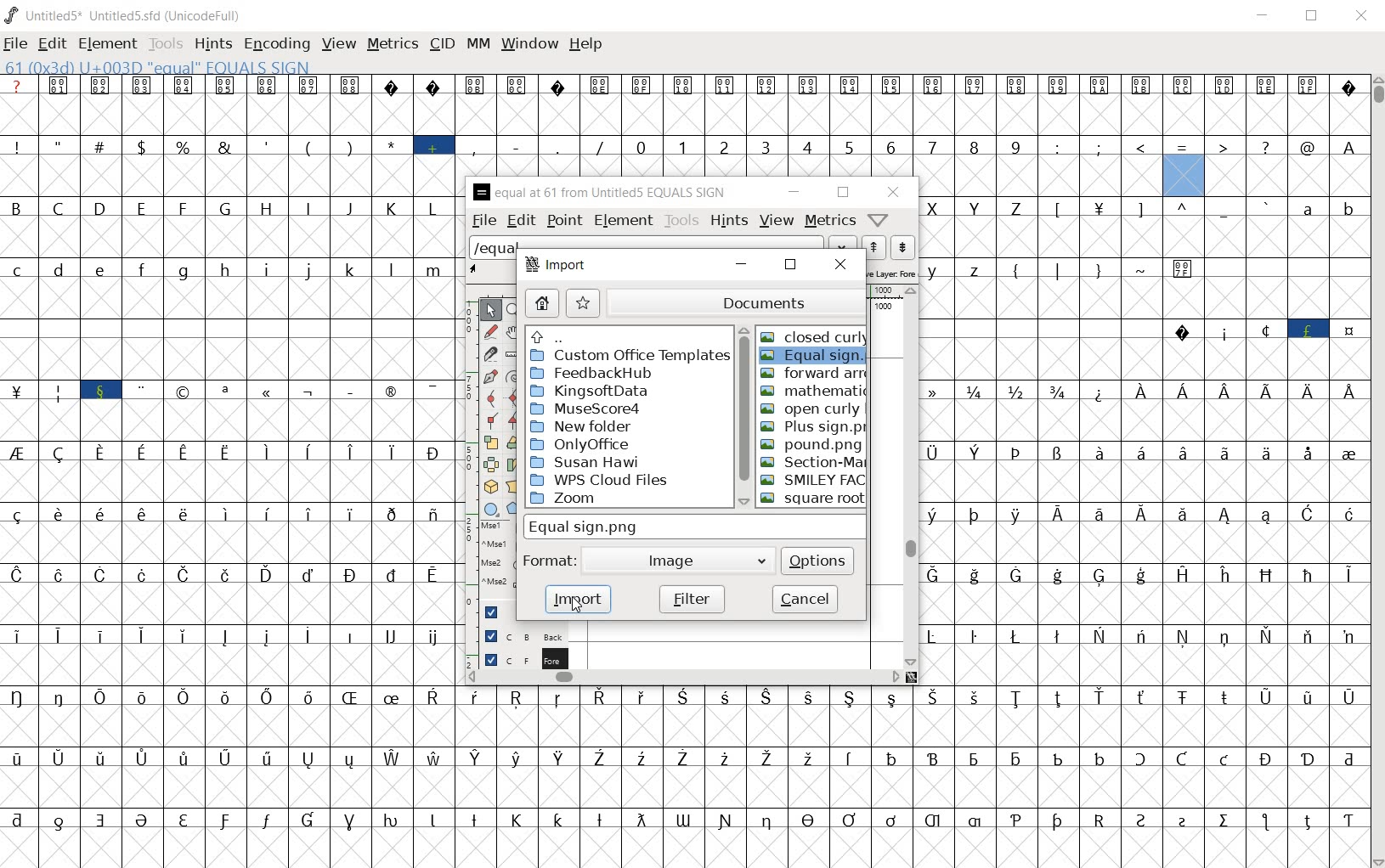 The width and height of the screenshot is (1385, 868). Describe the element at coordinates (211, 43) in the screenshot. I see `hints` at that location.